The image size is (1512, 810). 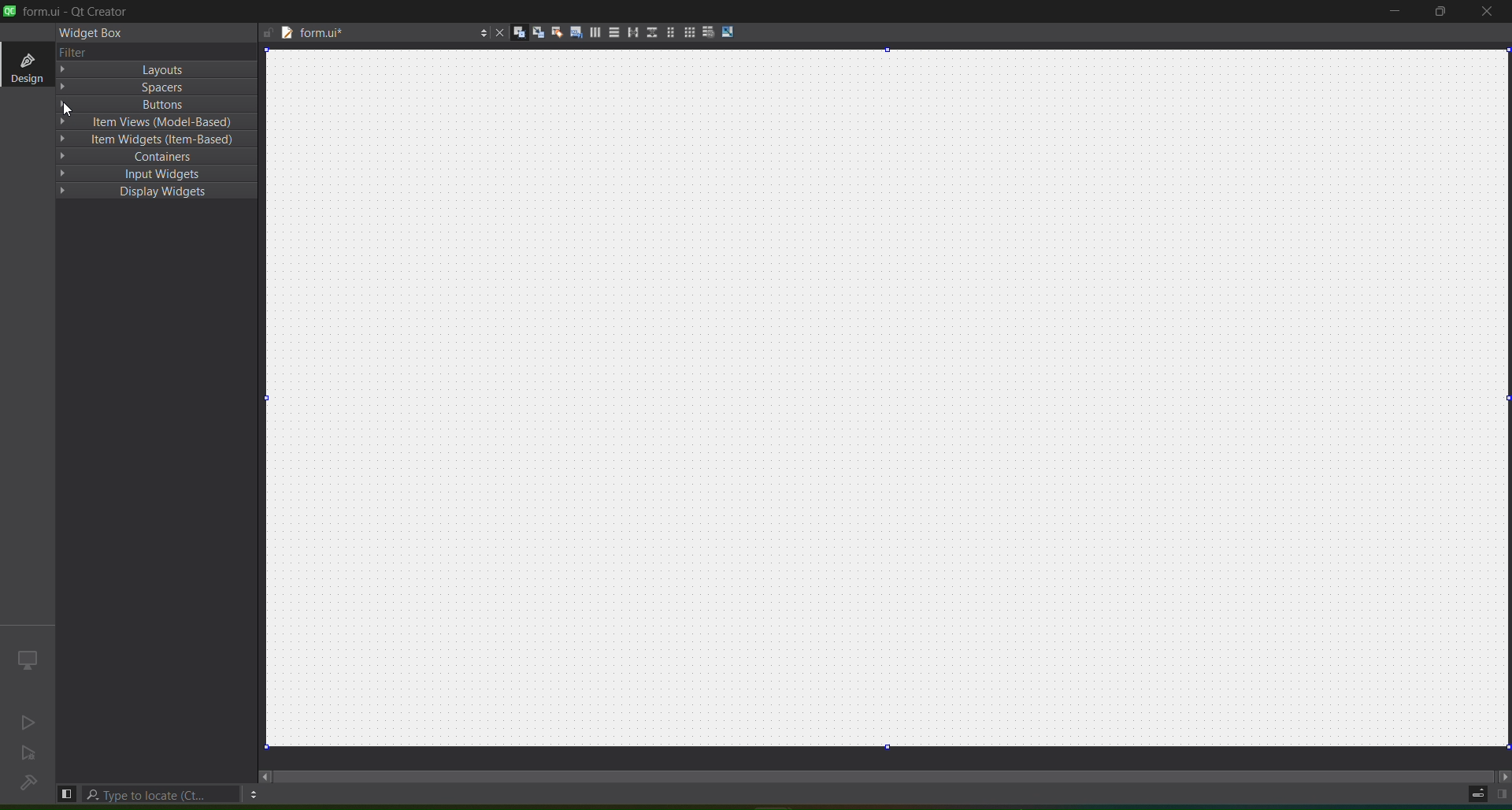 I want to click on no active project, so click(x=29, y=754).